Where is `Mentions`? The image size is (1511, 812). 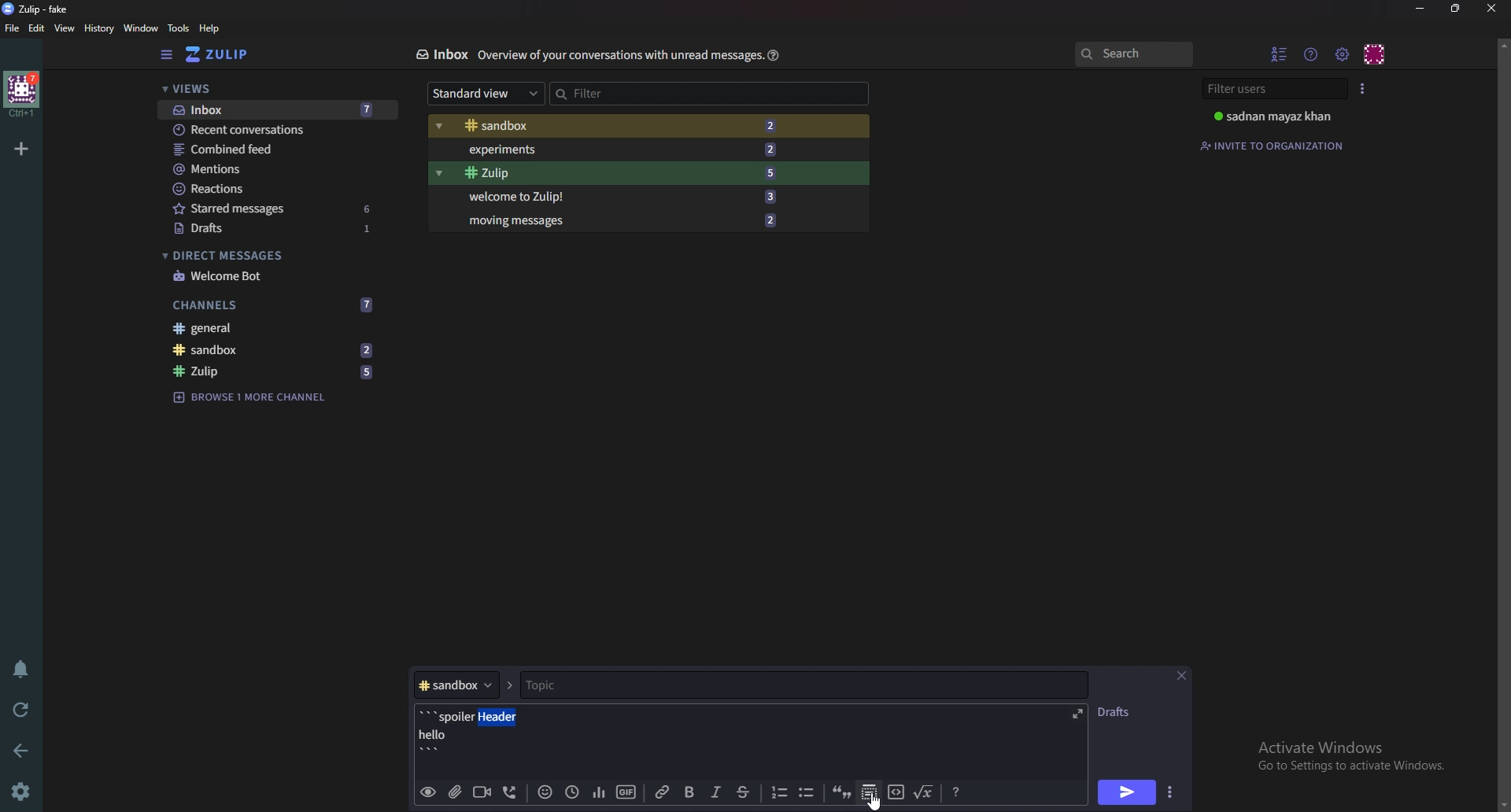
Mentions is located at coordinates (273, 168).